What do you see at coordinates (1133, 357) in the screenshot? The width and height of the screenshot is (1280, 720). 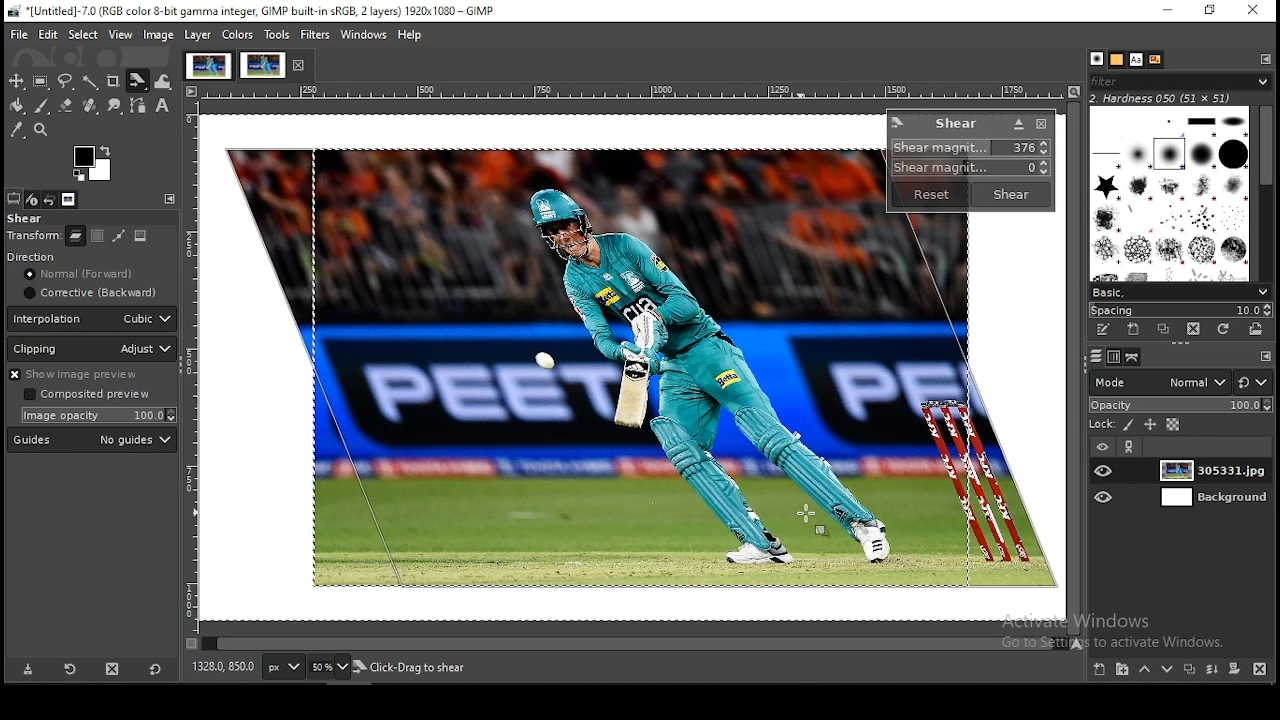 I see `layers` at bounding box center [1133, 357].